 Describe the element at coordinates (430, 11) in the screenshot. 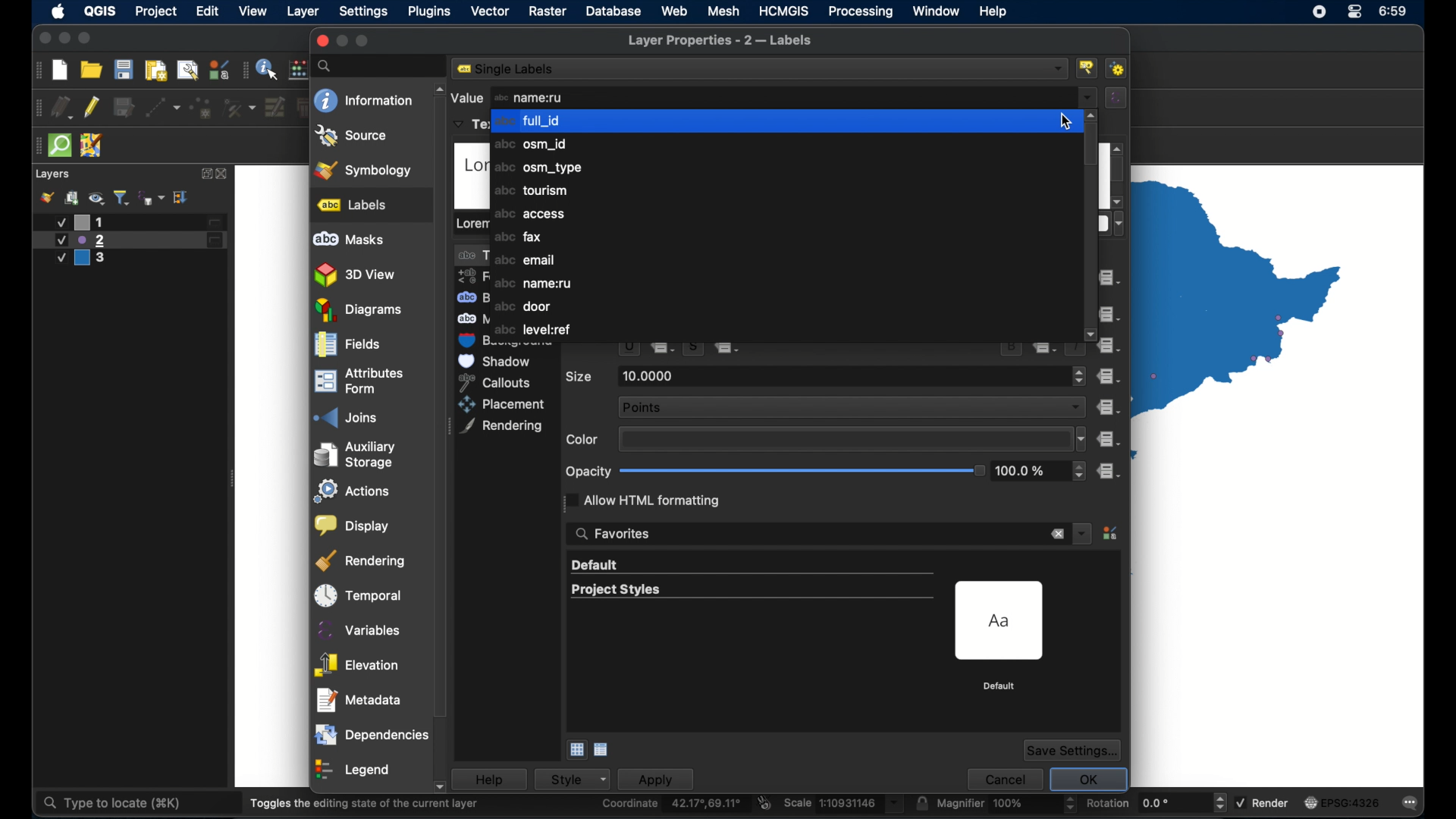

I see `plugins` at that location.